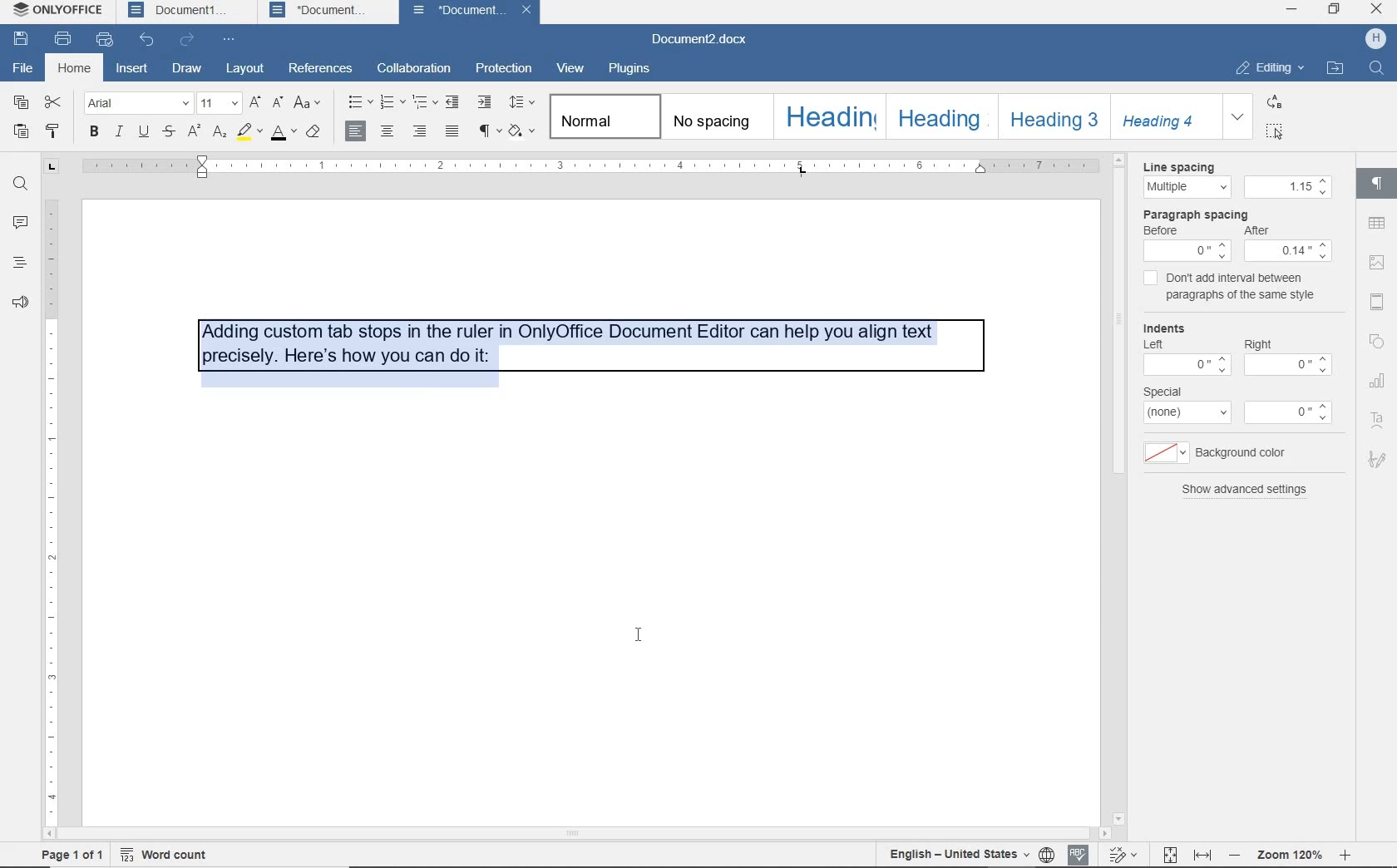 The width and height of the screenshot is (1397, 868). What do you see at coordinates (1187, 414) in the screenshot?
I see `menu` at bounding box center [1187, 414].